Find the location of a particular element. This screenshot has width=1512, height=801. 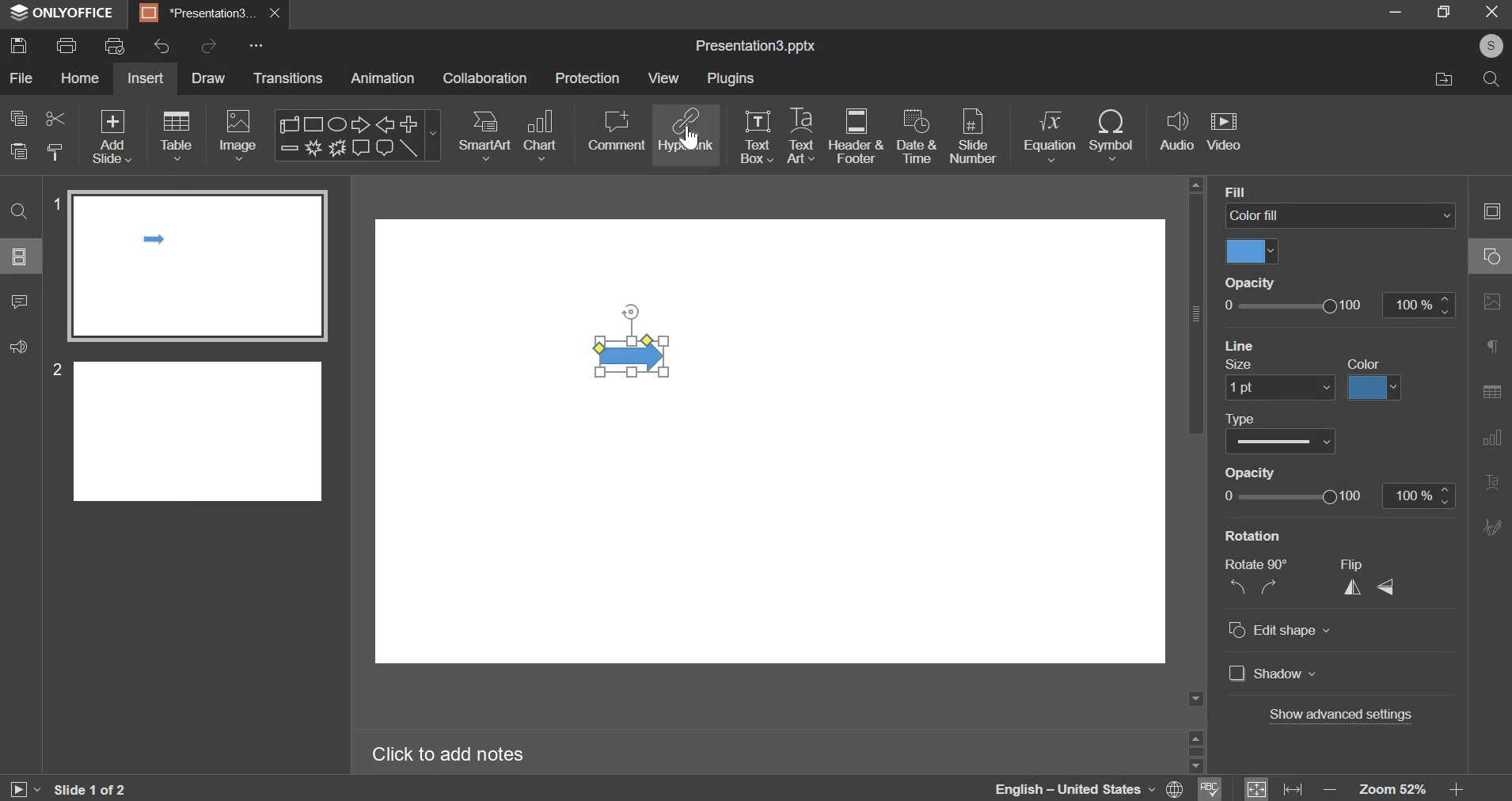

redo is located at coordinates (211, 44).